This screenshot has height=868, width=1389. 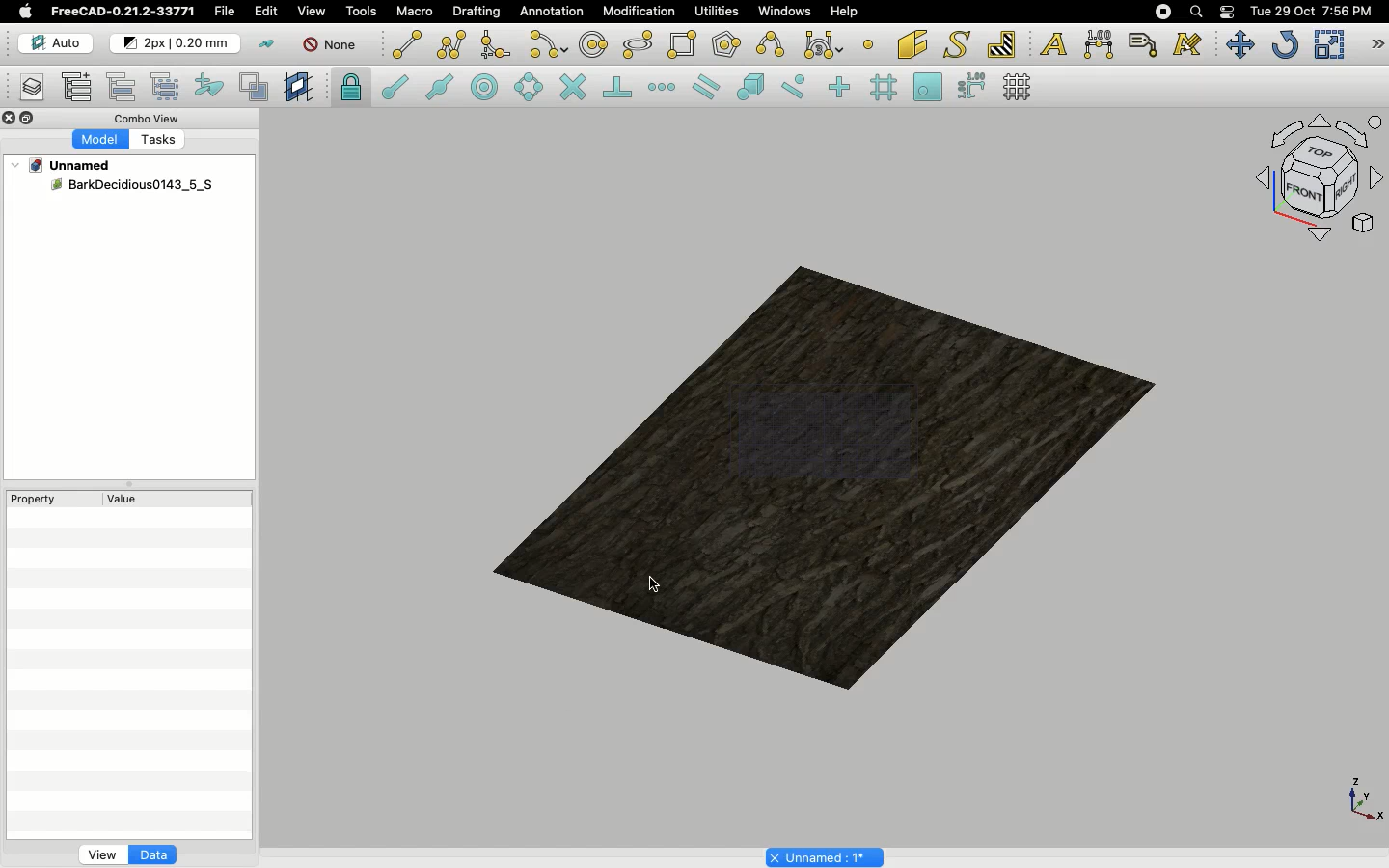 What do you see at coordinates (1002, 44) in the screenshot?
I see `Hatch` at bounding box center [1002, 44].